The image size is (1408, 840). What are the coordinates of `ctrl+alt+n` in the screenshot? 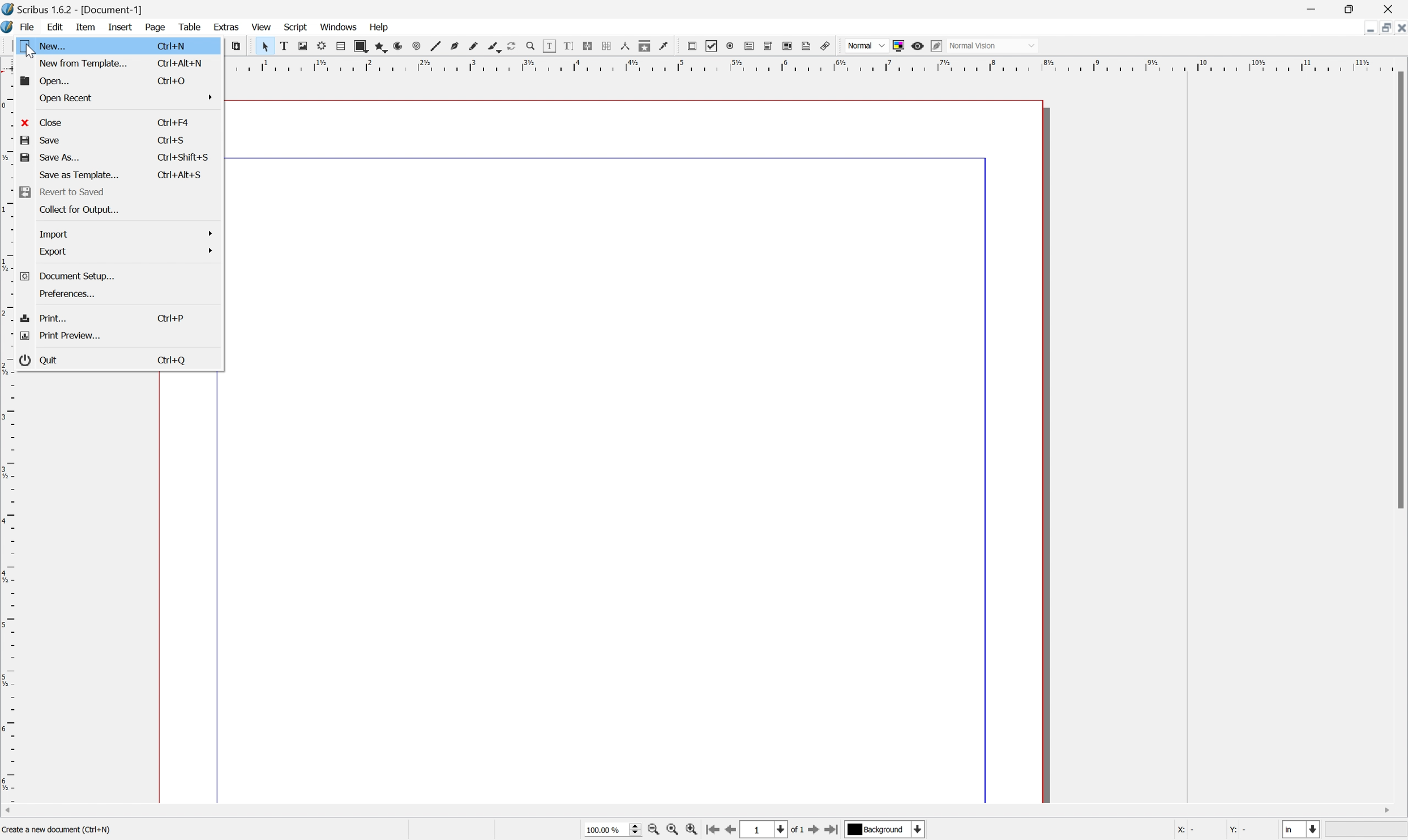 It's located at (179, 62).